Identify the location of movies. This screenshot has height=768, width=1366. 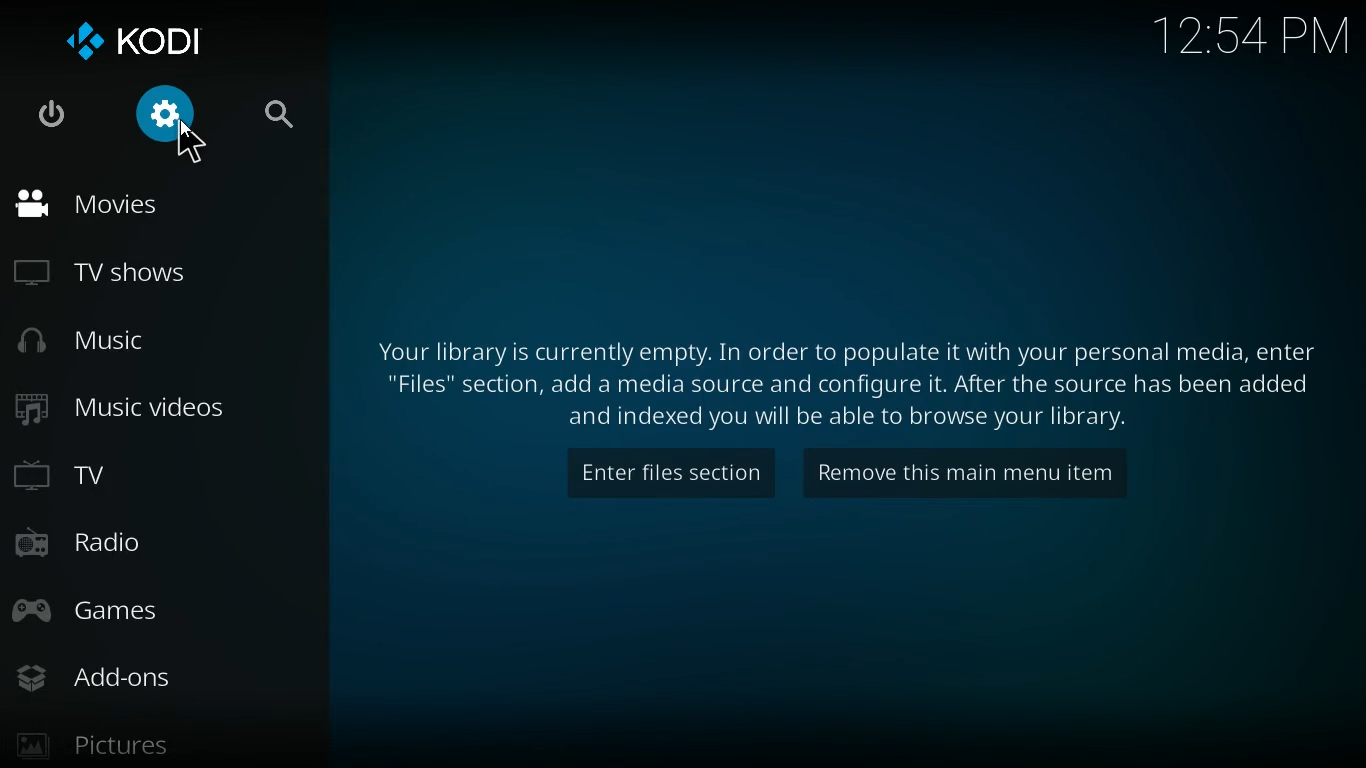
(119, 204).